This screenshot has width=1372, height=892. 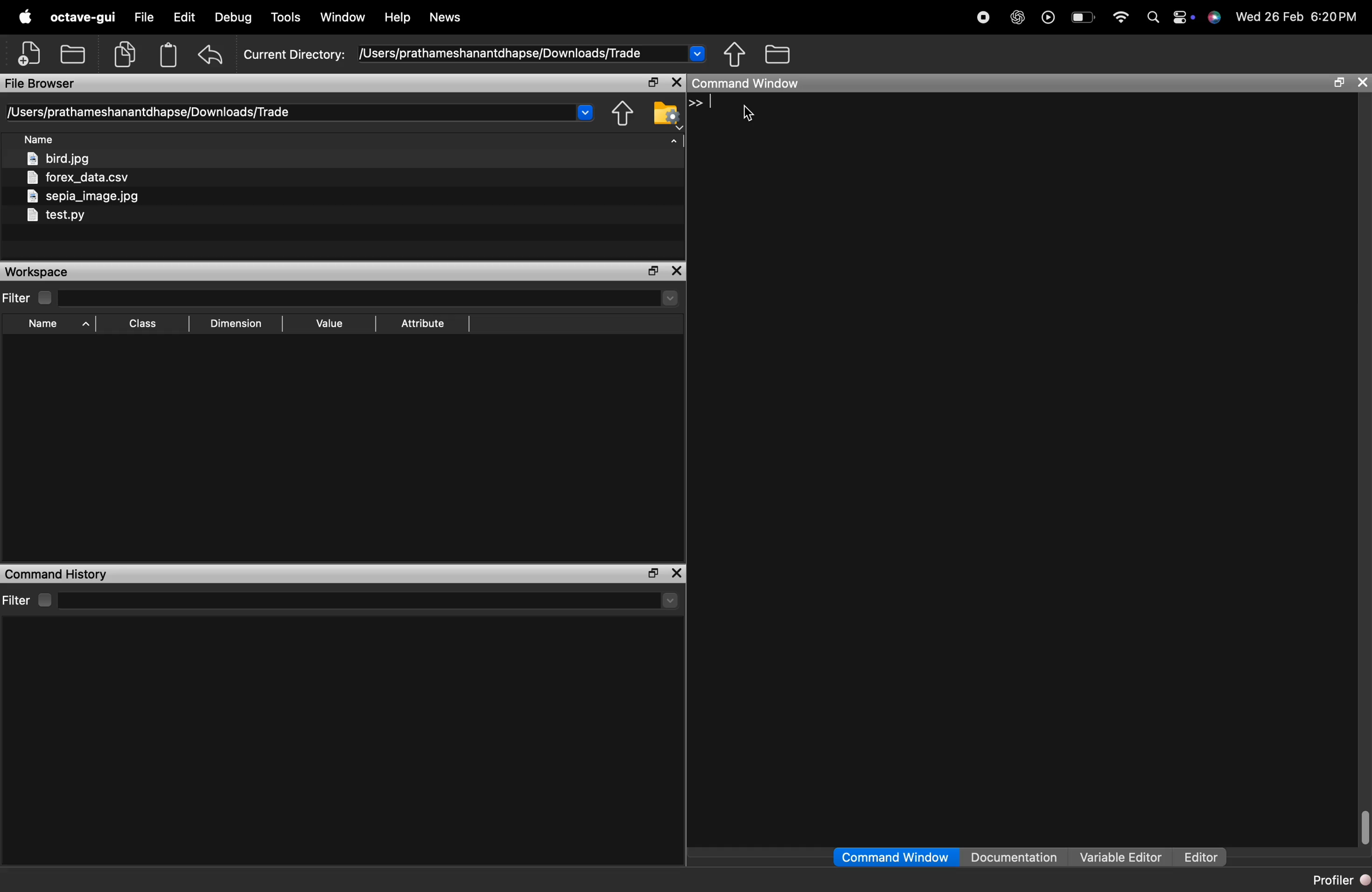 What do you see at coordinates (55, 216) in the screenshot?
I see `test.py` at bounding box center [55, 216].